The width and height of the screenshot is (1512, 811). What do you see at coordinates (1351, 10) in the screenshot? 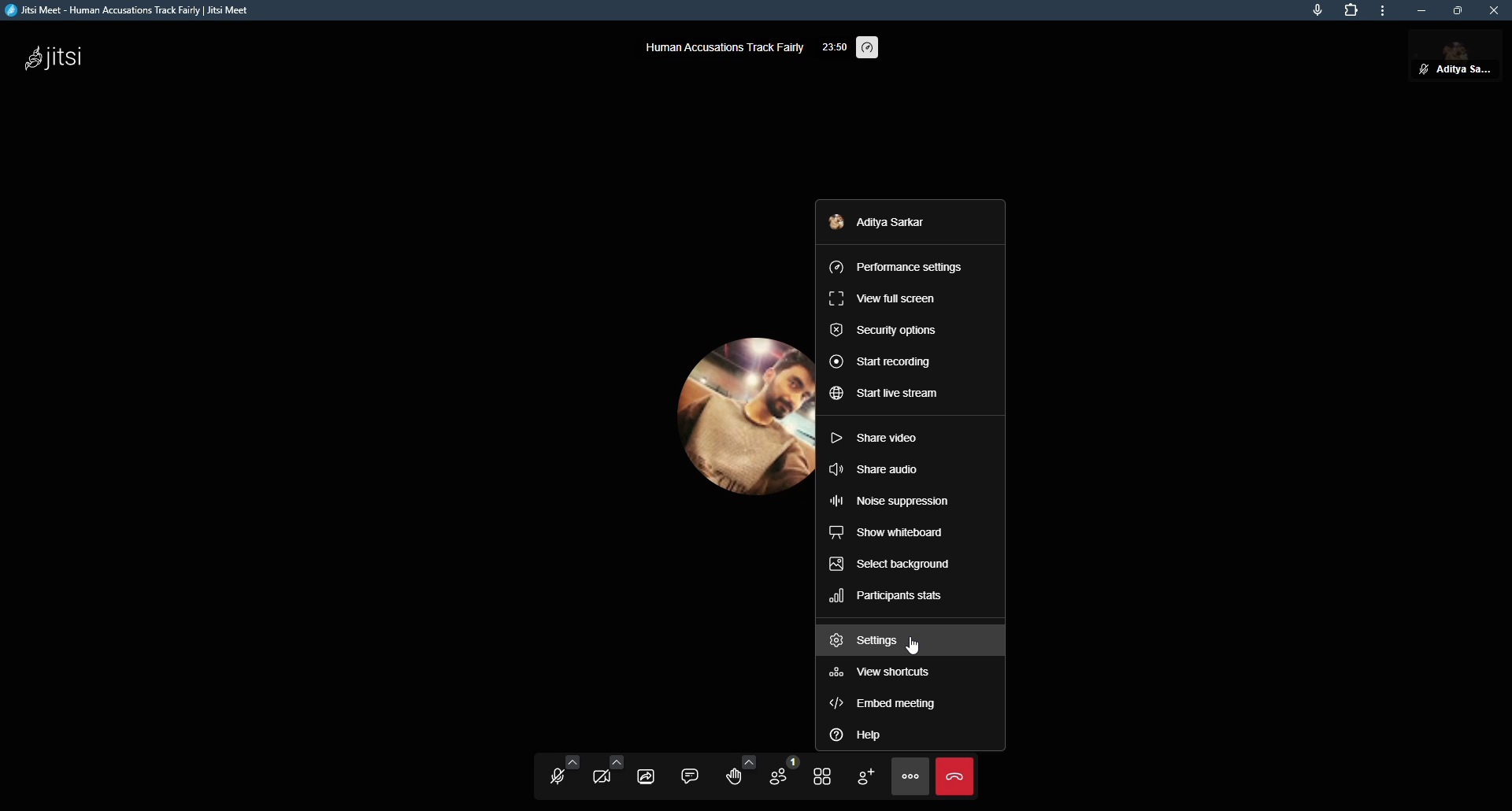
I see `extensions` at bounding box center [1351, 10].